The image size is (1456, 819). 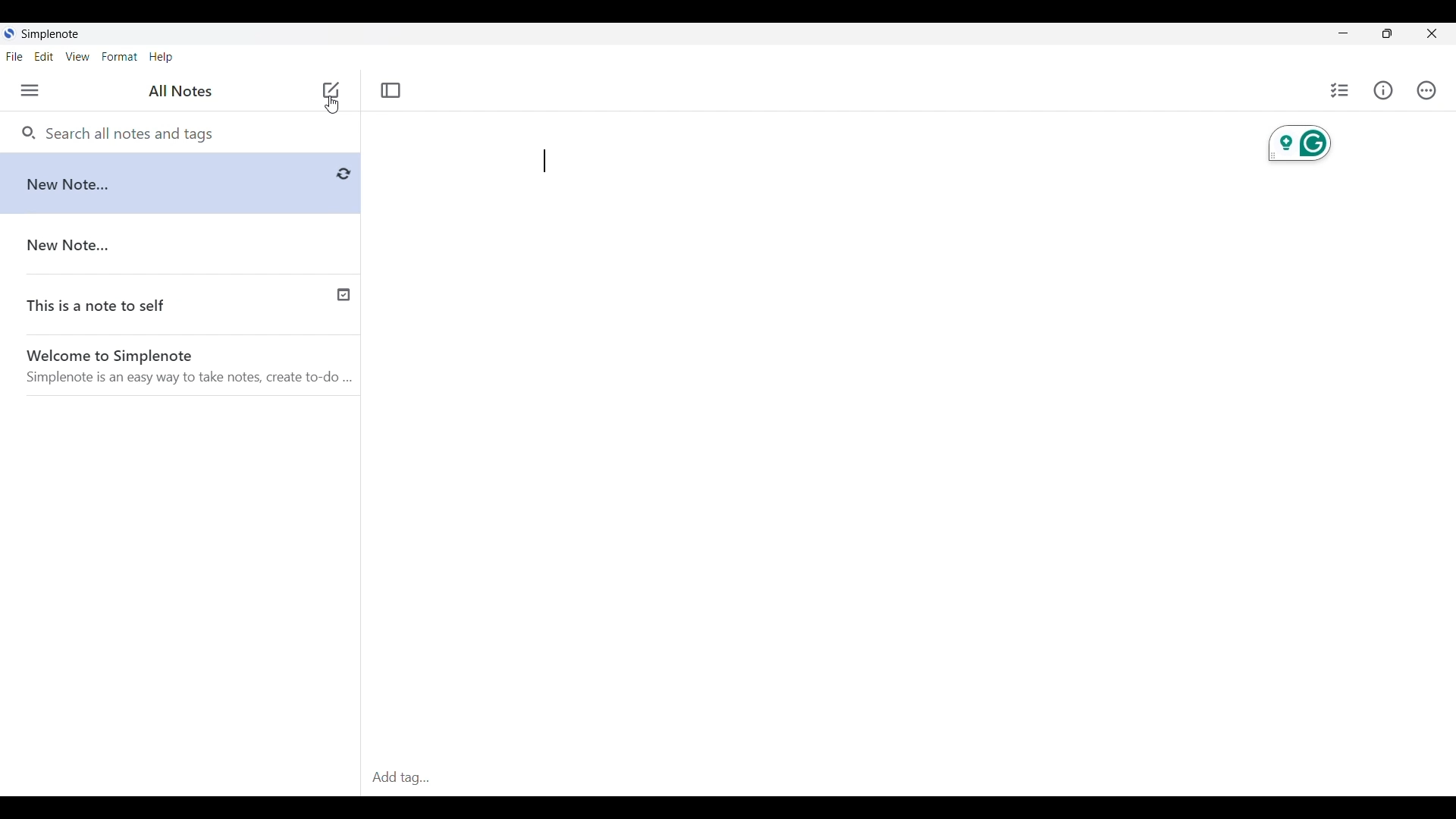 What do you see at coordinates (1344, 33) in the screenshot?
I see `Minimize` at bounding box center [1344, 33].